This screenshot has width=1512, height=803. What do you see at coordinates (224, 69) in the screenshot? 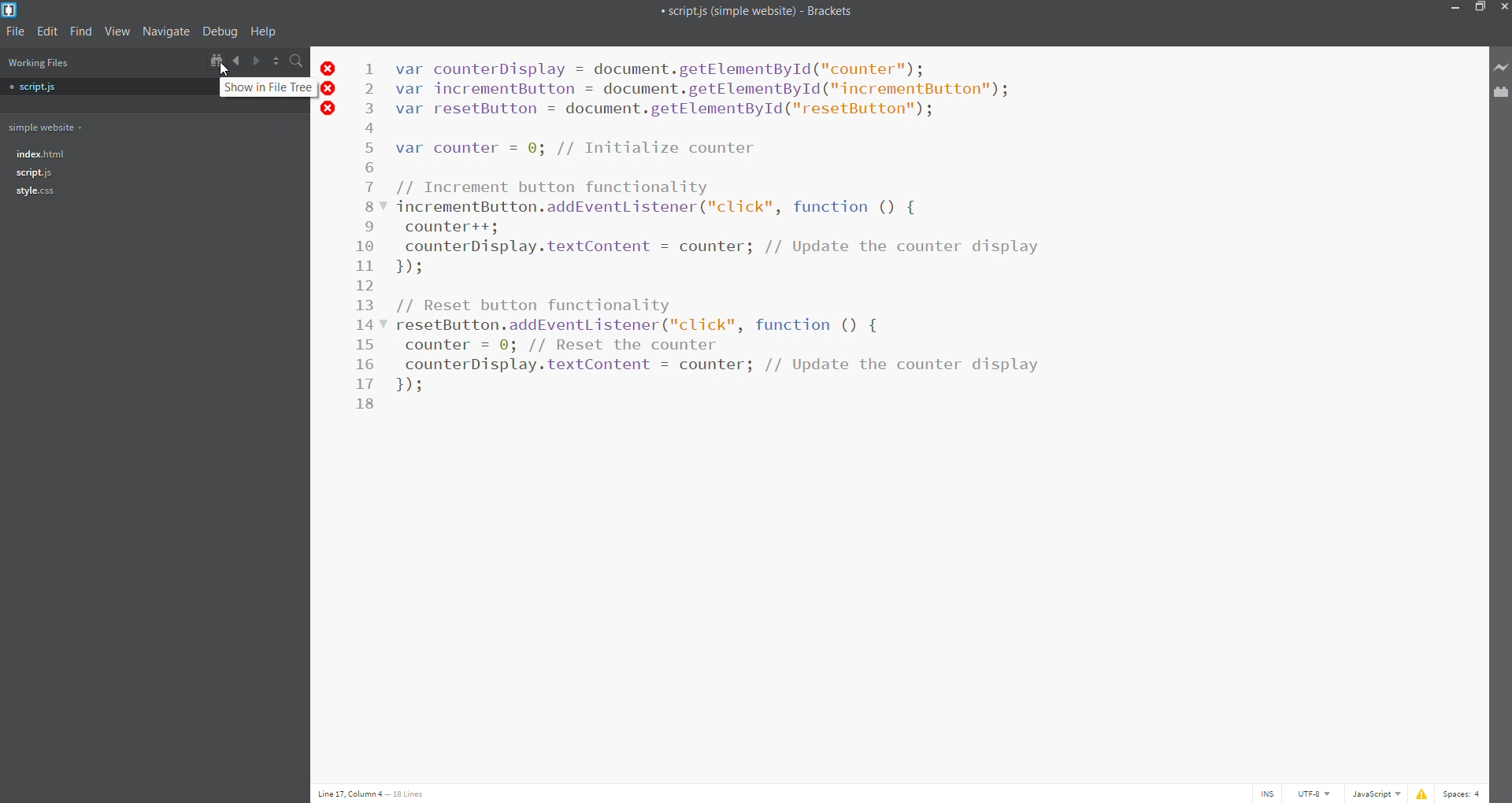
I see `cursor` at bounding box center [224, 69].